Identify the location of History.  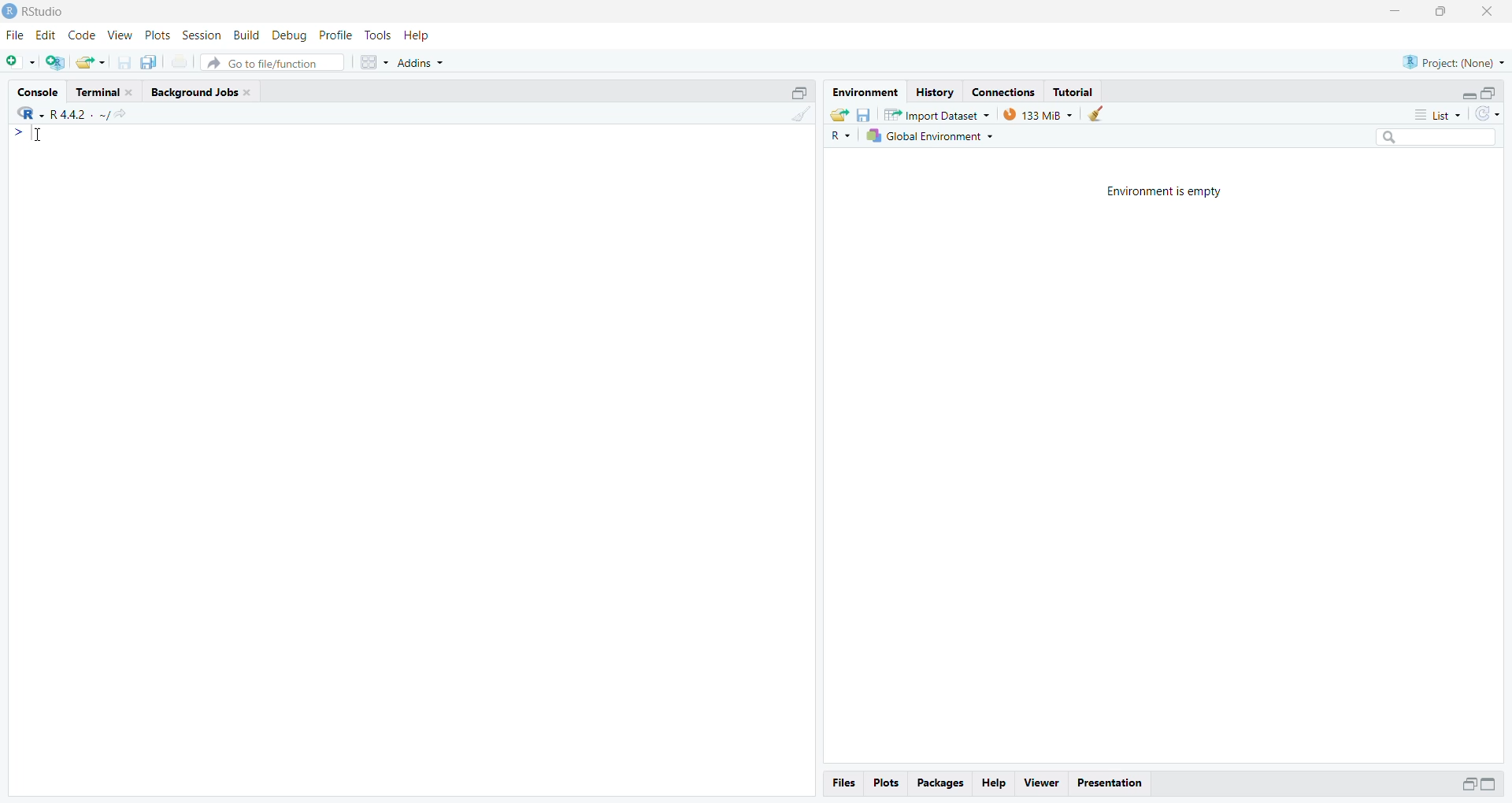
(932, 92).